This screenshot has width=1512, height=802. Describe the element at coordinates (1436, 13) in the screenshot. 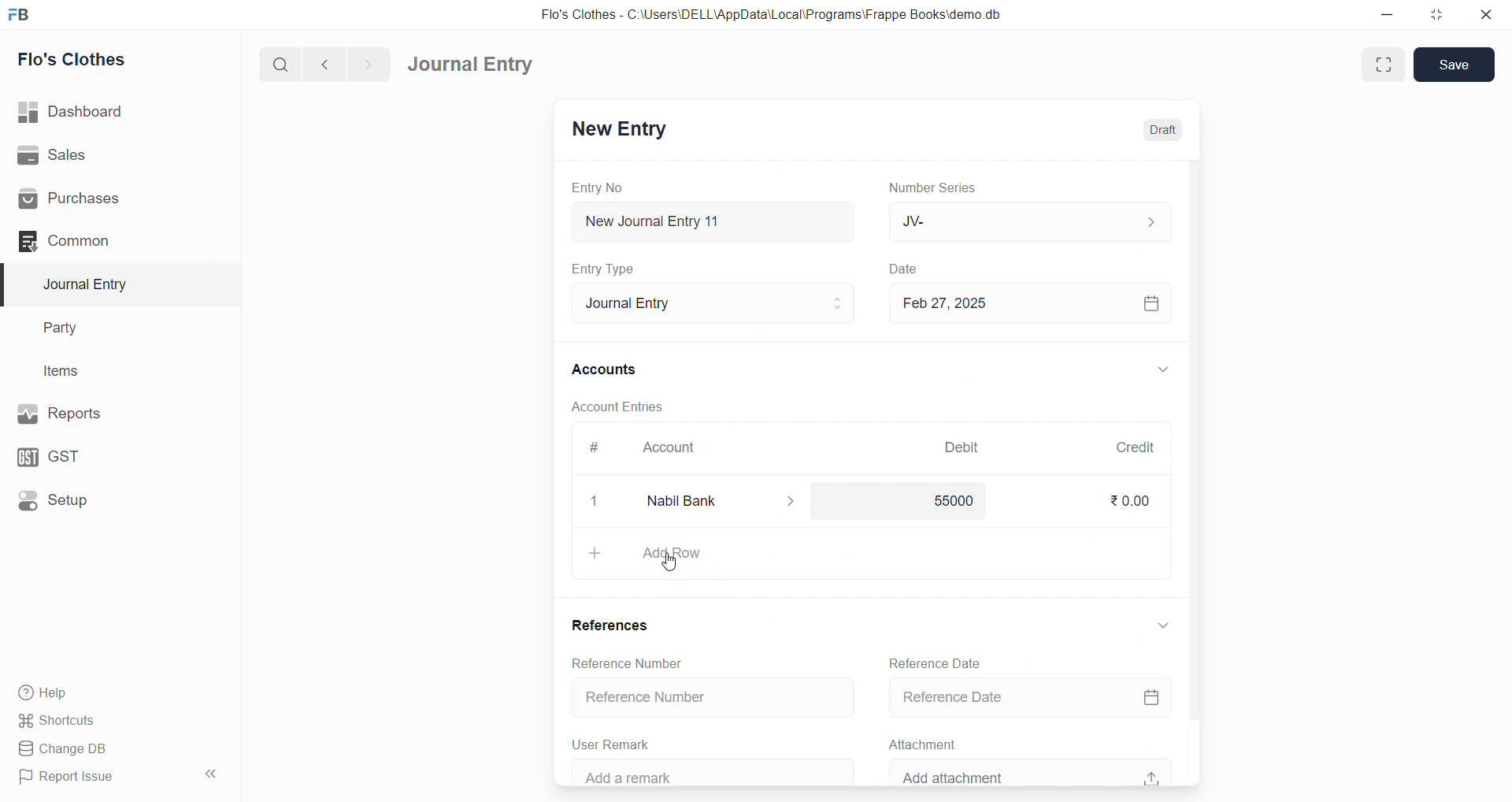

I see `resize` at that location.